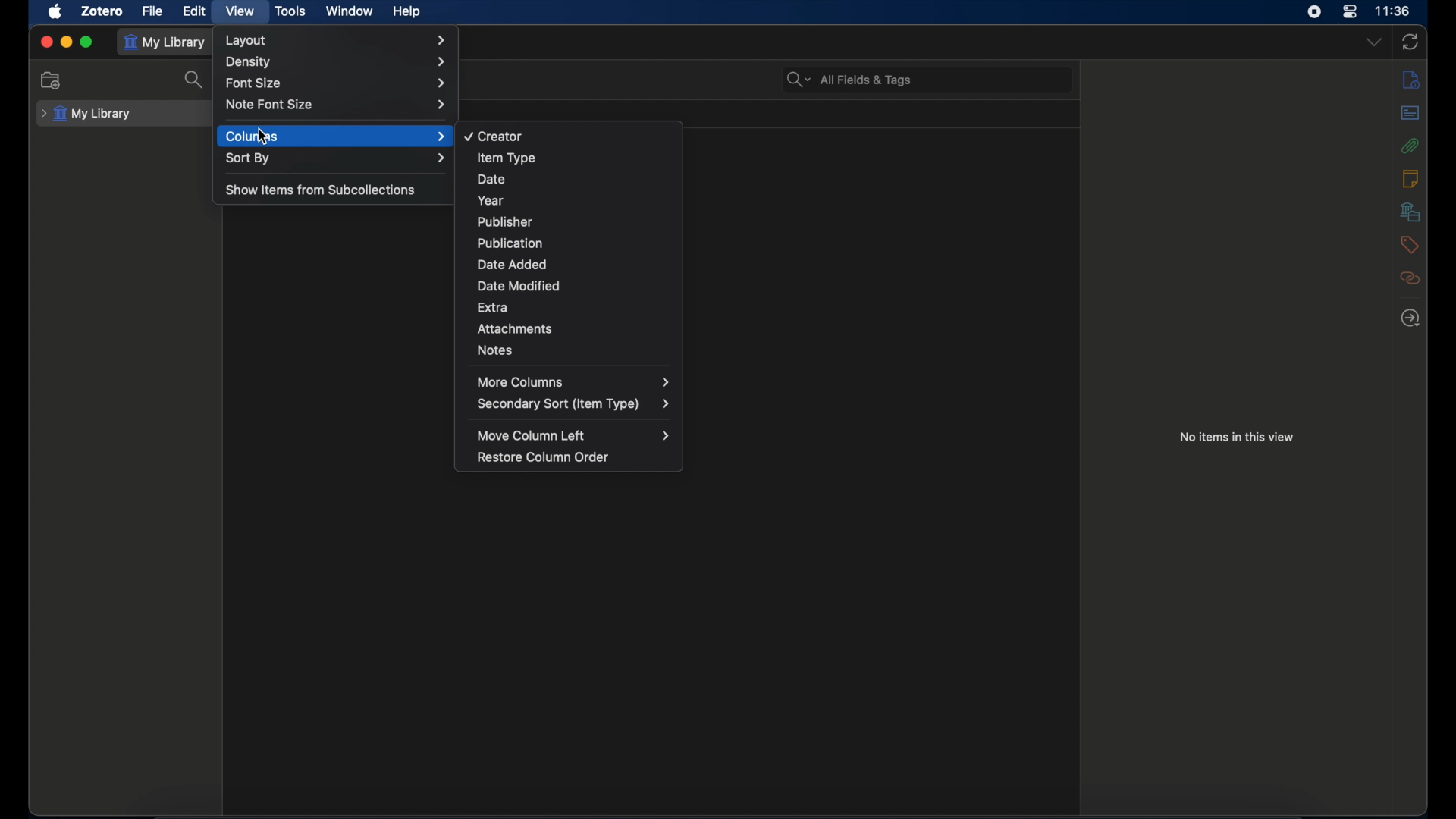 Image resolution: width=1456 pixels, height=819 pixels. Describe the element at coordinates (1410, 278) in the screenshot. I see `related` at that location.